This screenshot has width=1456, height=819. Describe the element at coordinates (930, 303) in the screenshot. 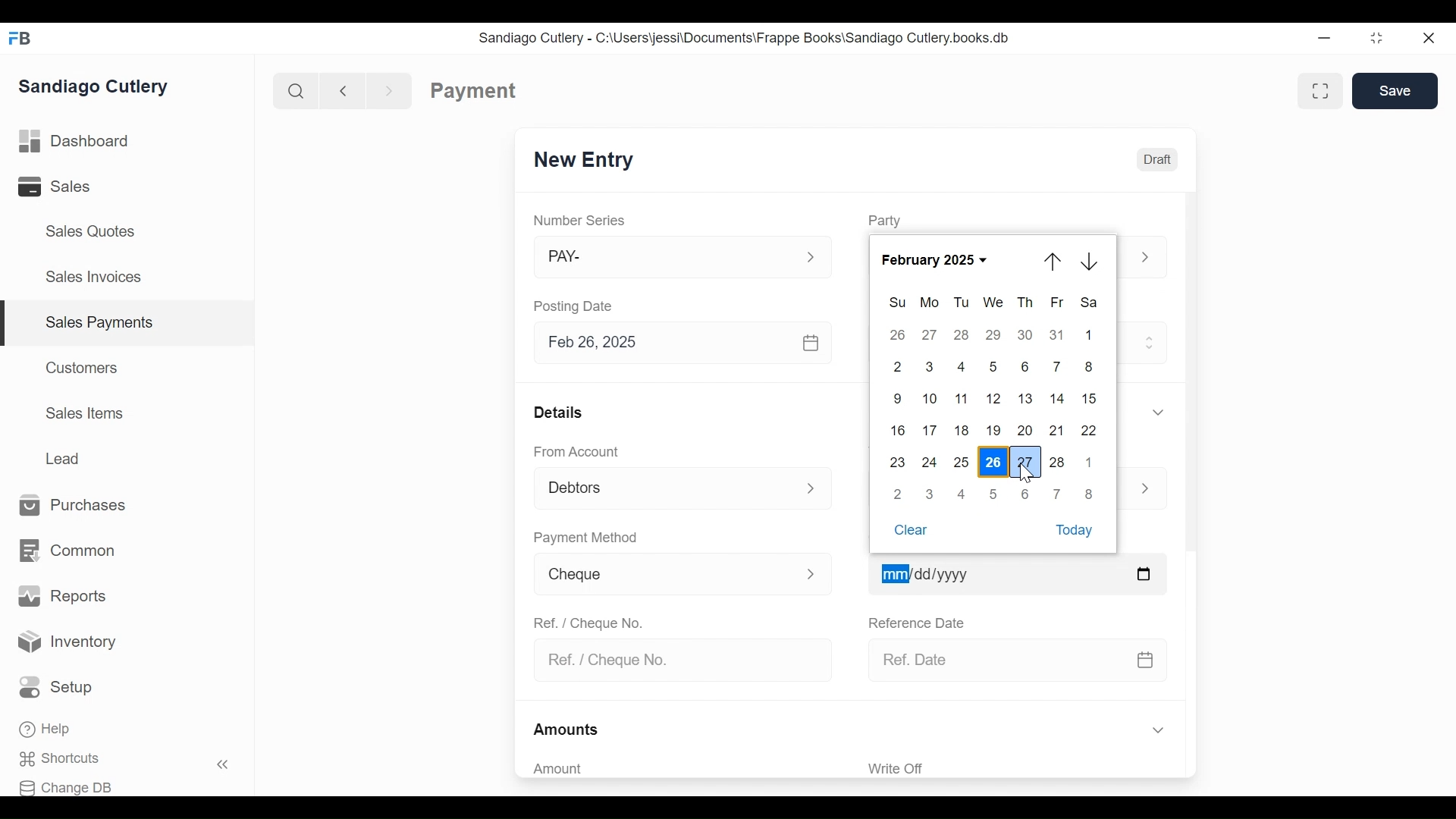

I see `Mo` at that location.